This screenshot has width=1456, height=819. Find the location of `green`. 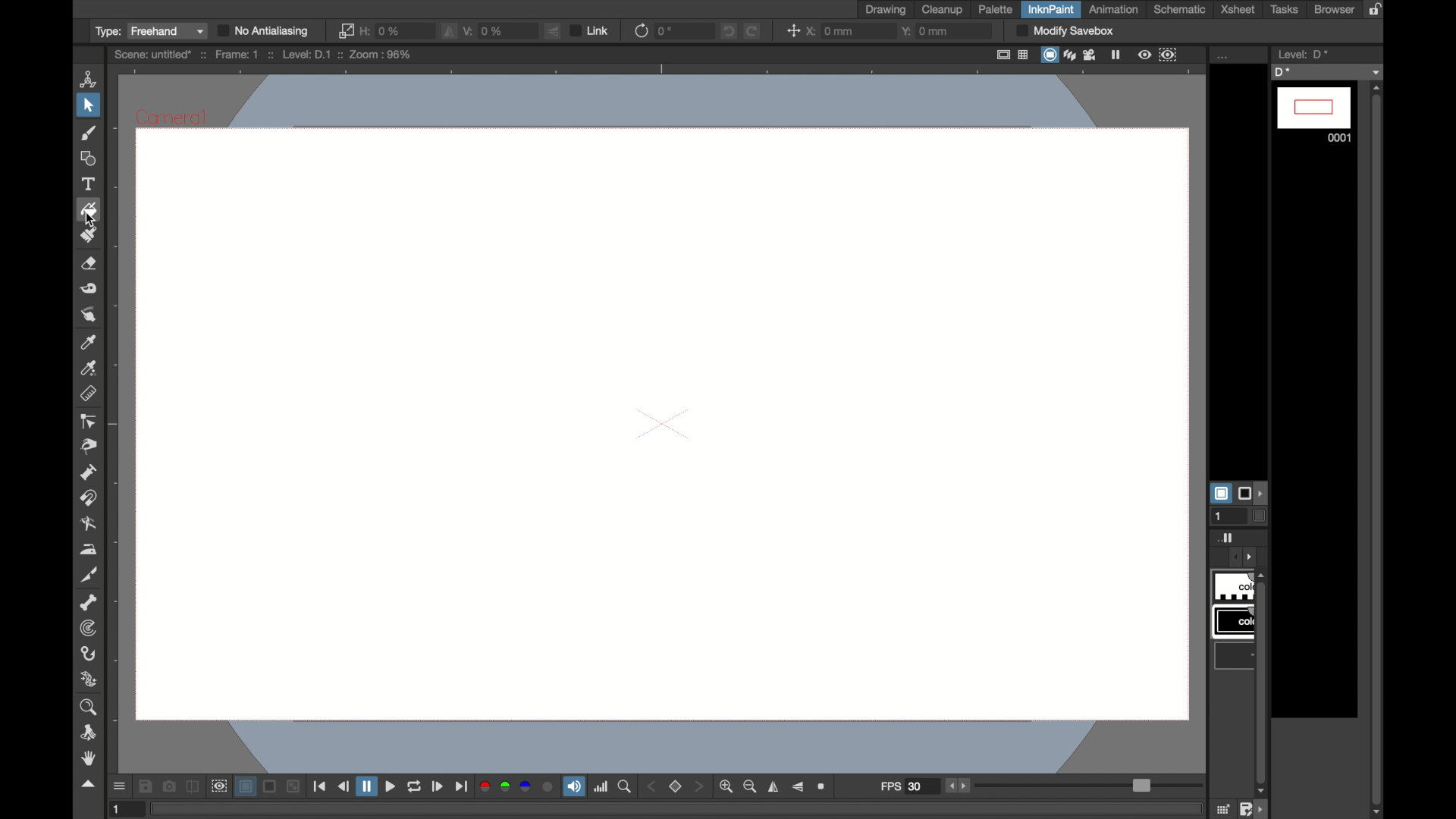

green is located at coordinates (504, 787).